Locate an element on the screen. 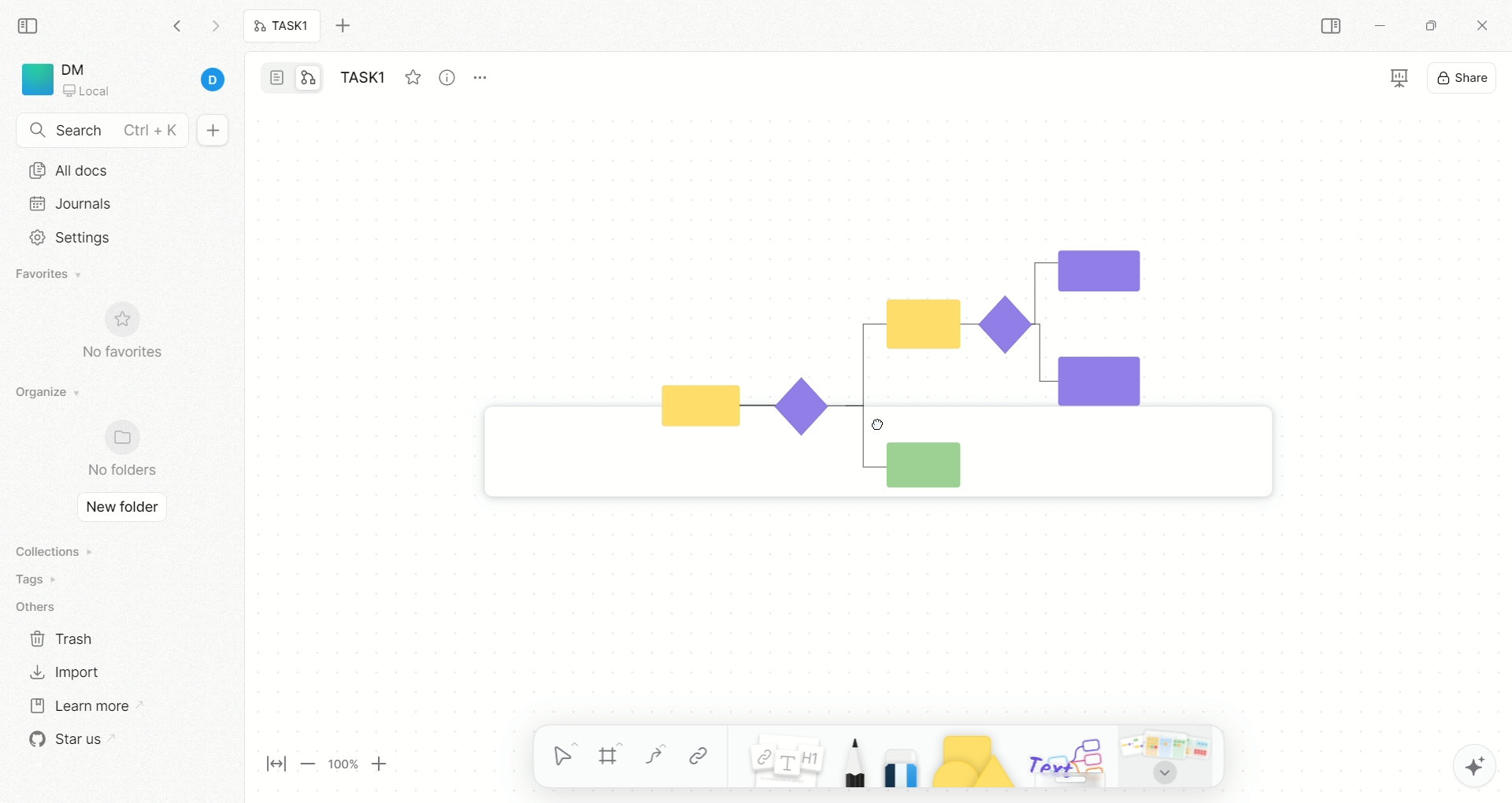 Image resolution: width=1512 pixels, height=803 pixels. pencil is located at coordinates (850, 758).